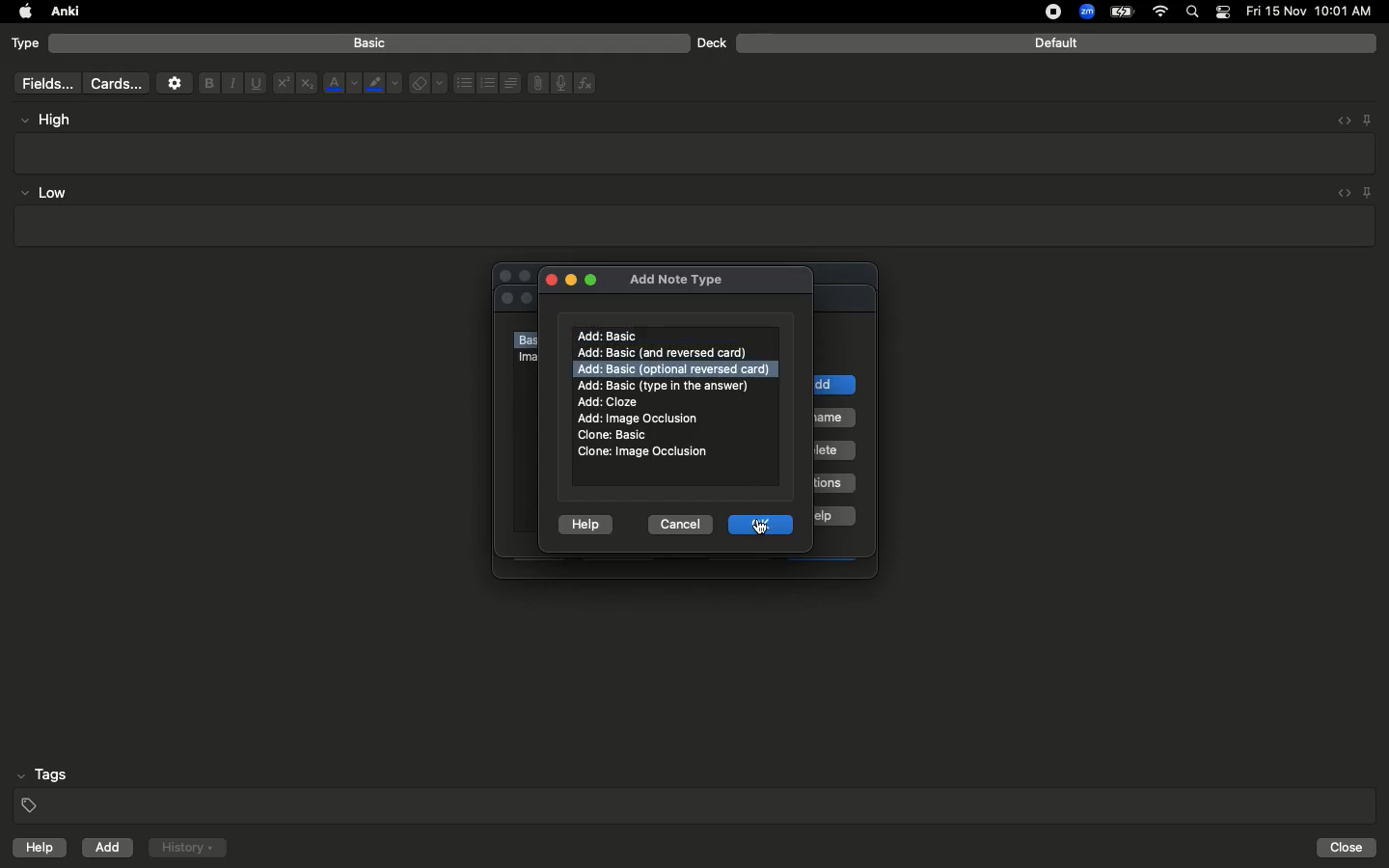  Describe the element at coordinates (1042, 12) in the screenshot. I see `recording` at that location.